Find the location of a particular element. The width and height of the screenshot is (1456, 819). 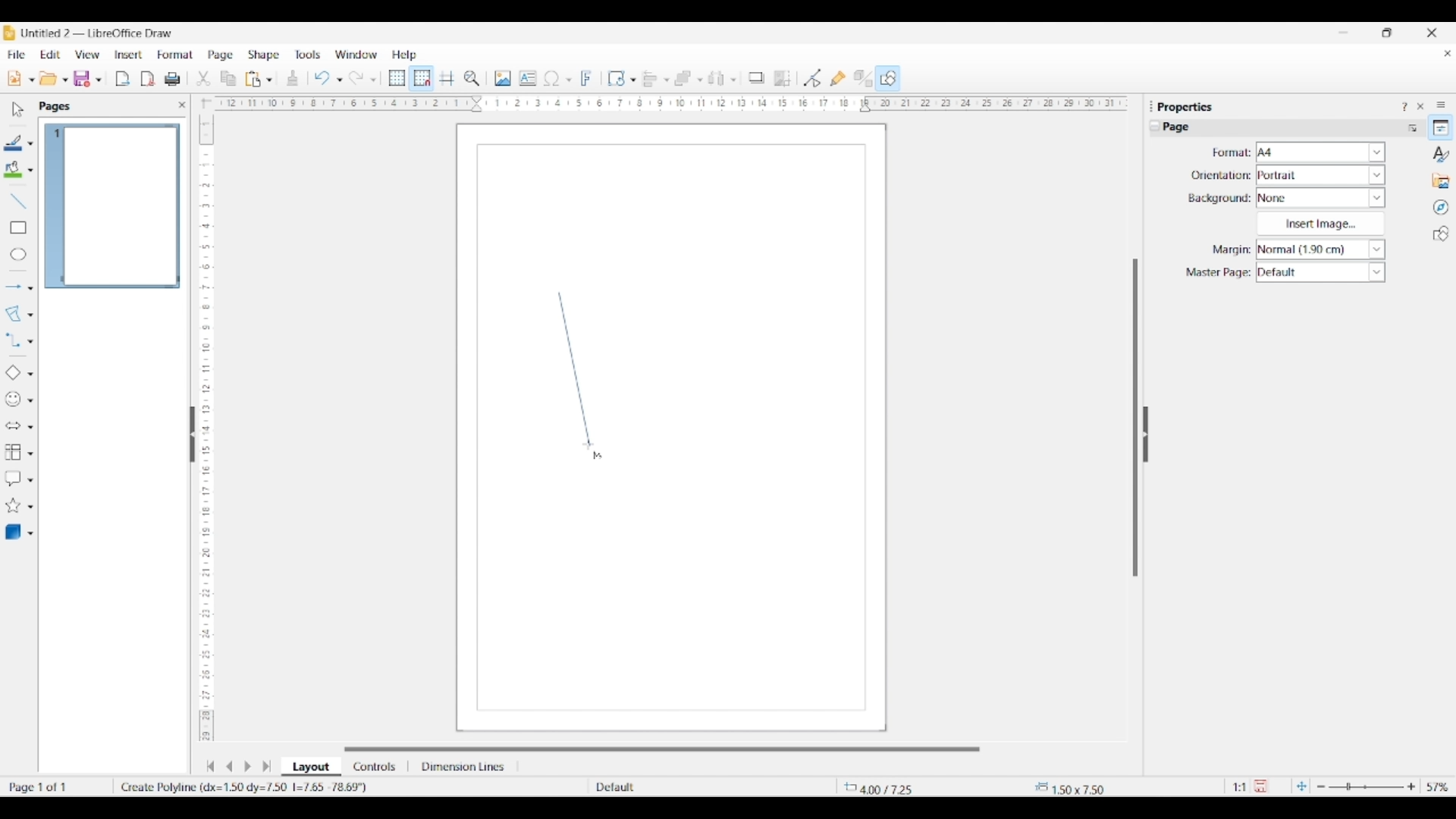

Controls is located at coordinates (376, 767).